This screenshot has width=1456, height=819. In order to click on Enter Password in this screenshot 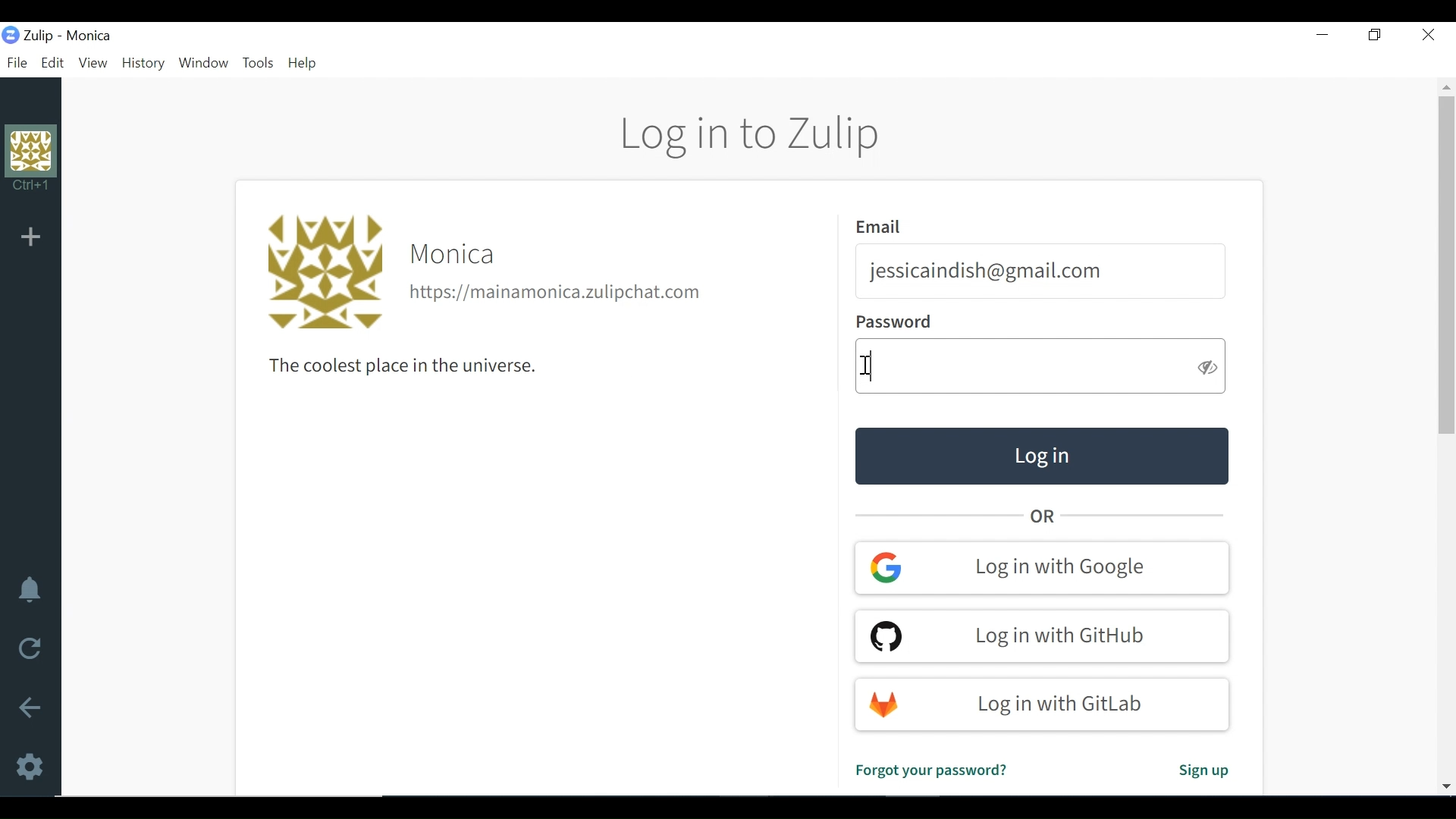, I will do `click(1021, 368)`.